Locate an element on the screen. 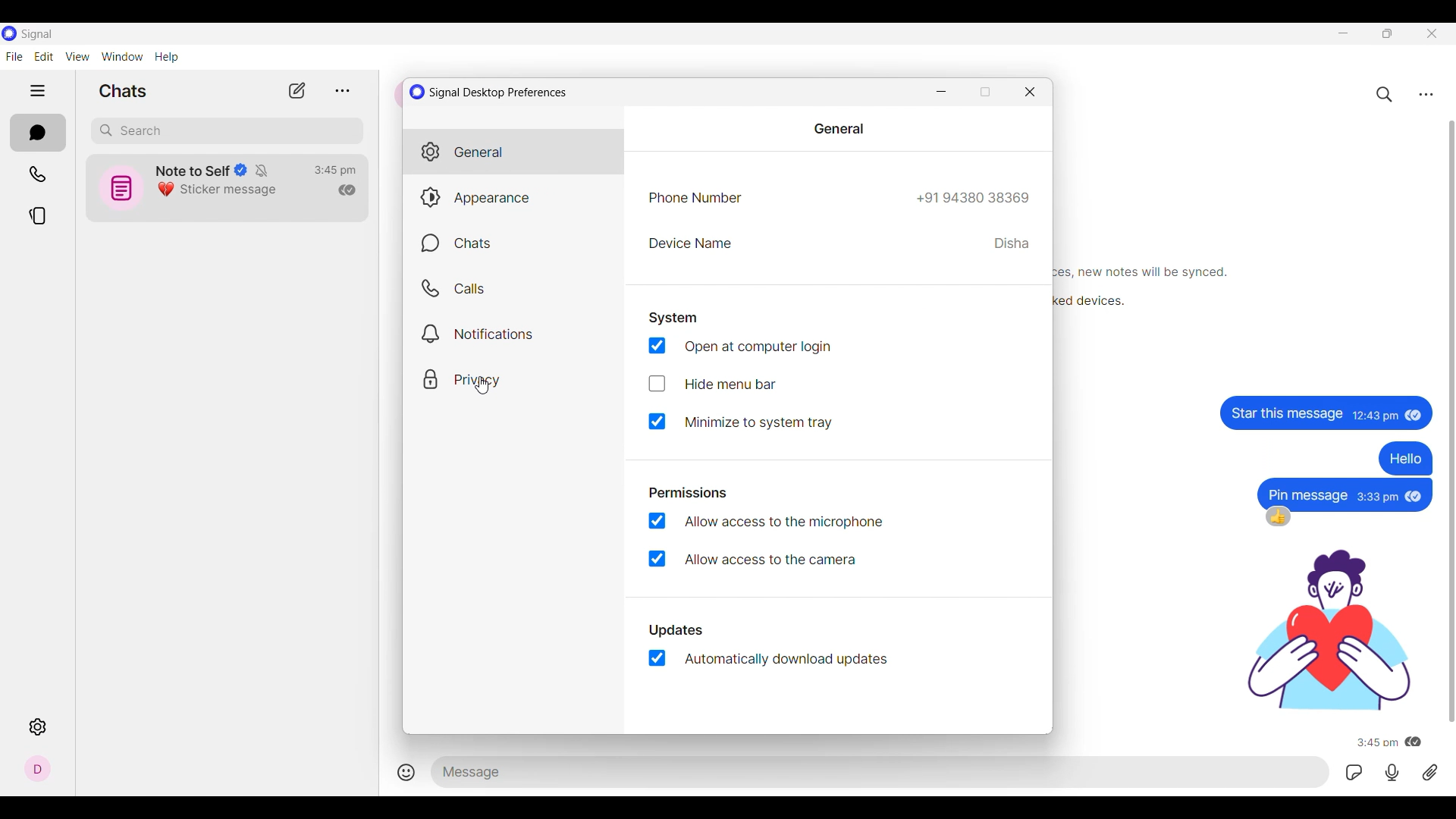  Restore down is located at coordinates (985, 92).